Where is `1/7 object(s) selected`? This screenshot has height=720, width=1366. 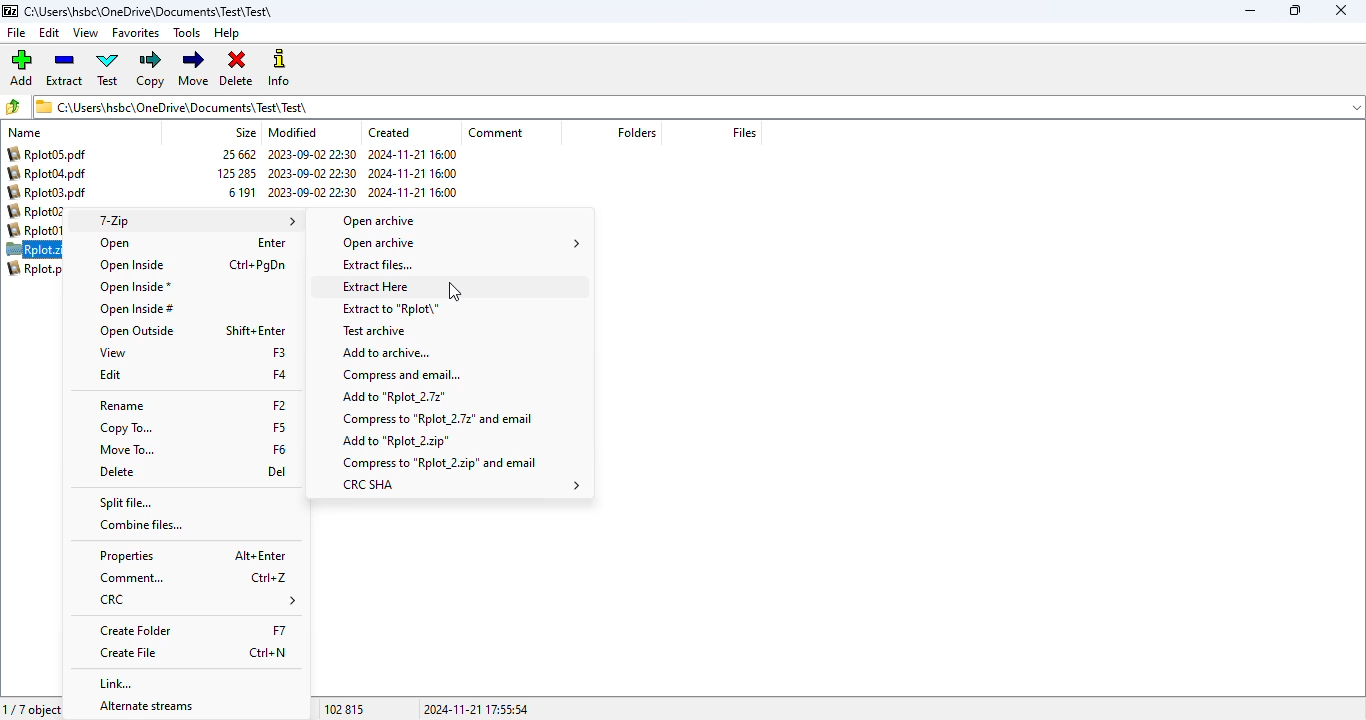
1/7 object(s) selected is located at coordinates (34, 709).